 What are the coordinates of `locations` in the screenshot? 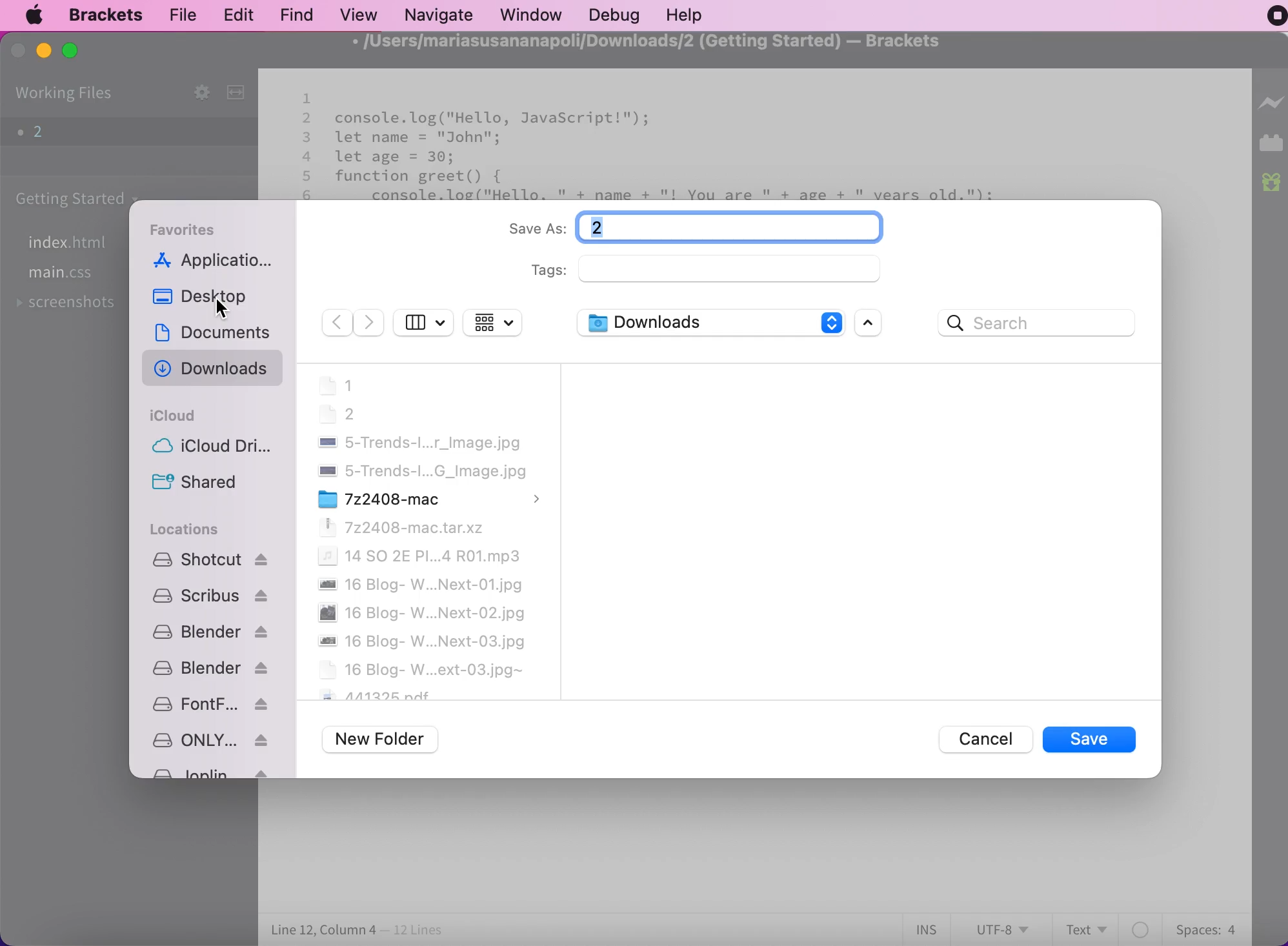 It's located at (188, 530).